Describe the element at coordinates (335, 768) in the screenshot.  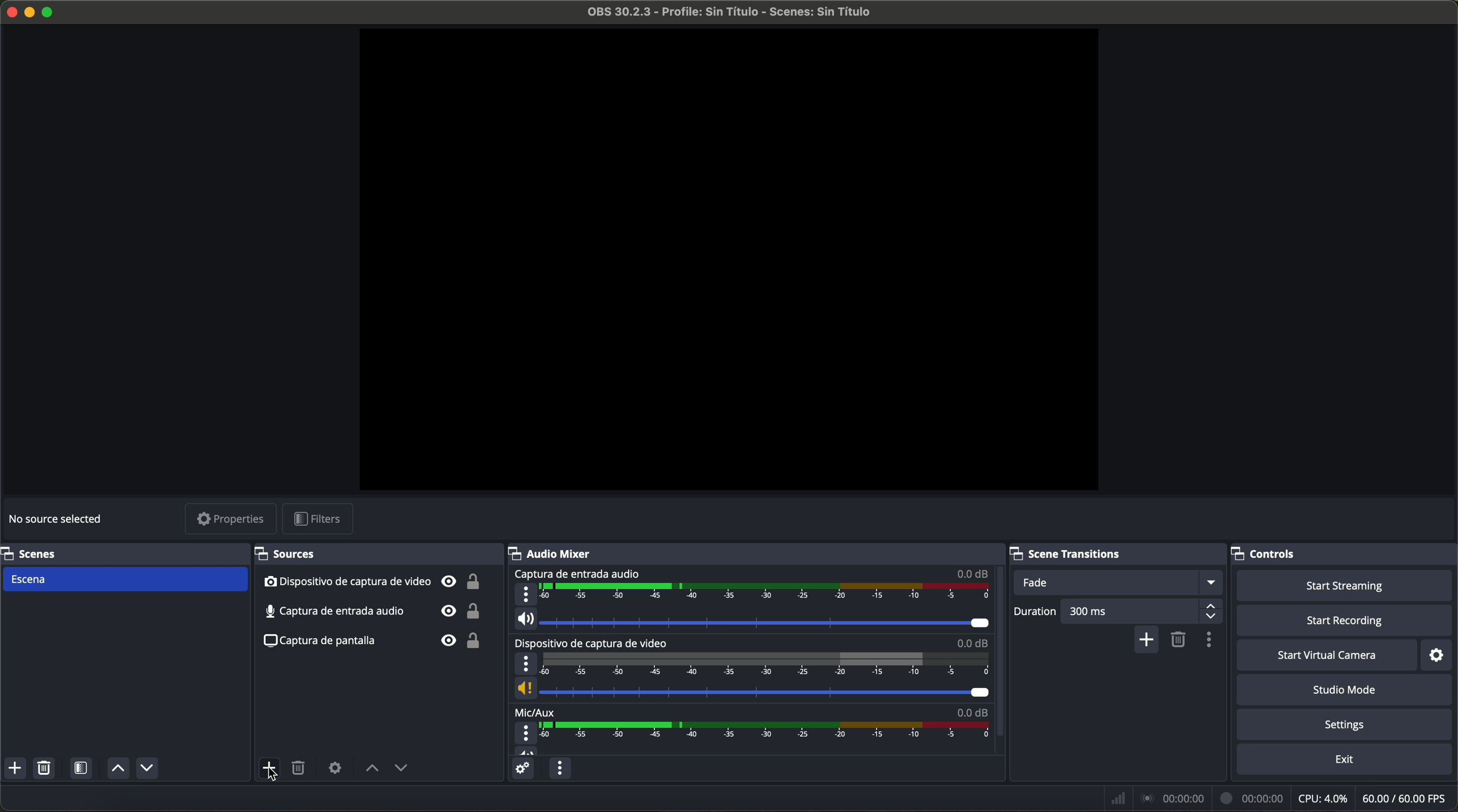
I see `open source properties` at that location.